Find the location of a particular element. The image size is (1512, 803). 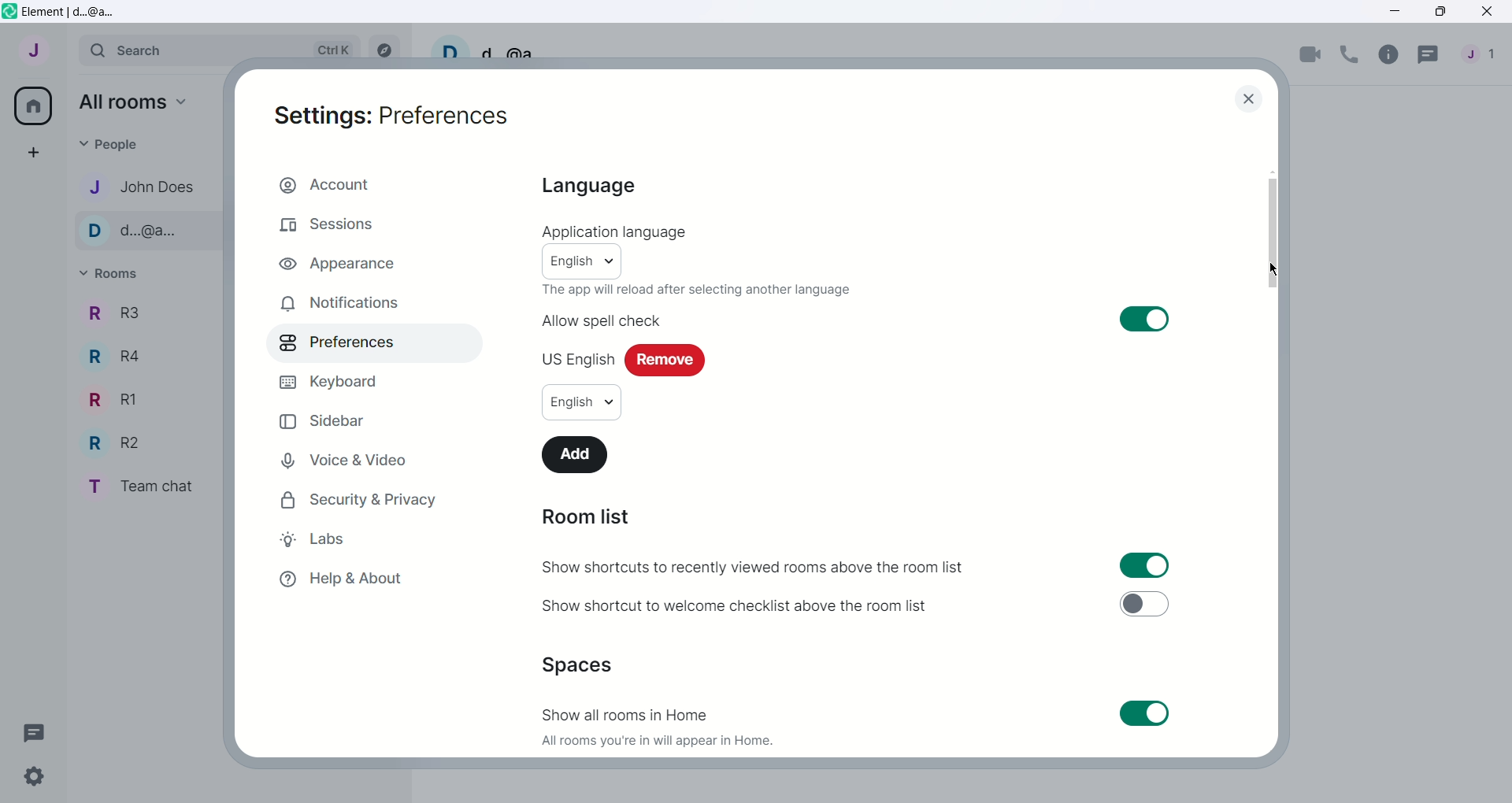

Room List is located at coordinates (590, 518).